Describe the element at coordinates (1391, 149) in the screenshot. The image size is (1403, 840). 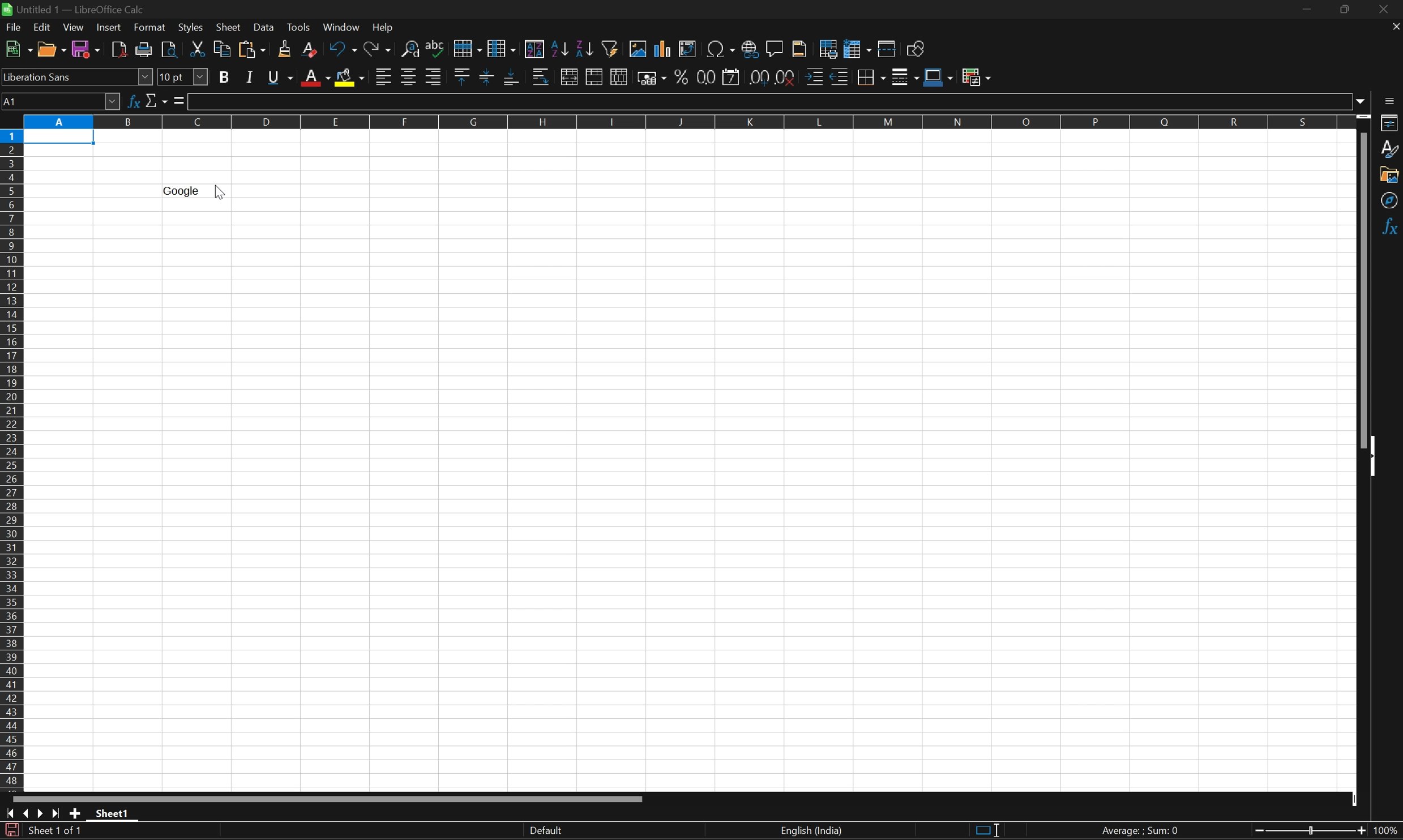
I see `Styles` at that location.